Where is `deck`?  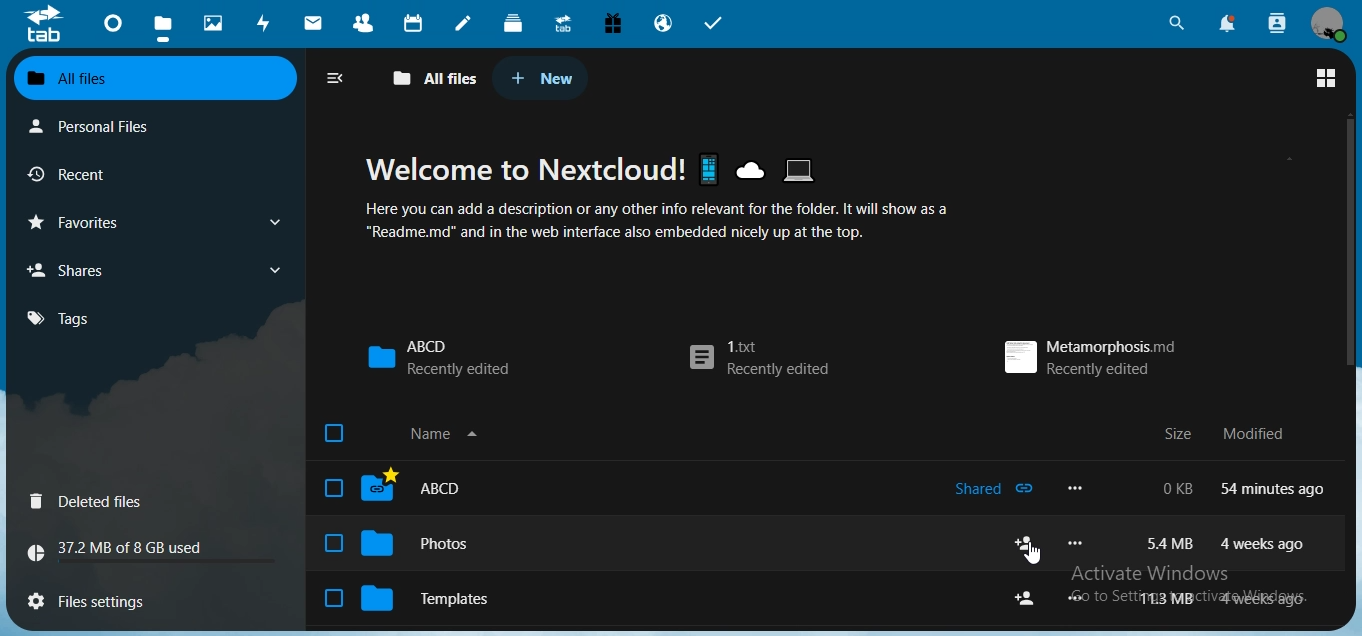 deck is located at coordinates (513, 22).